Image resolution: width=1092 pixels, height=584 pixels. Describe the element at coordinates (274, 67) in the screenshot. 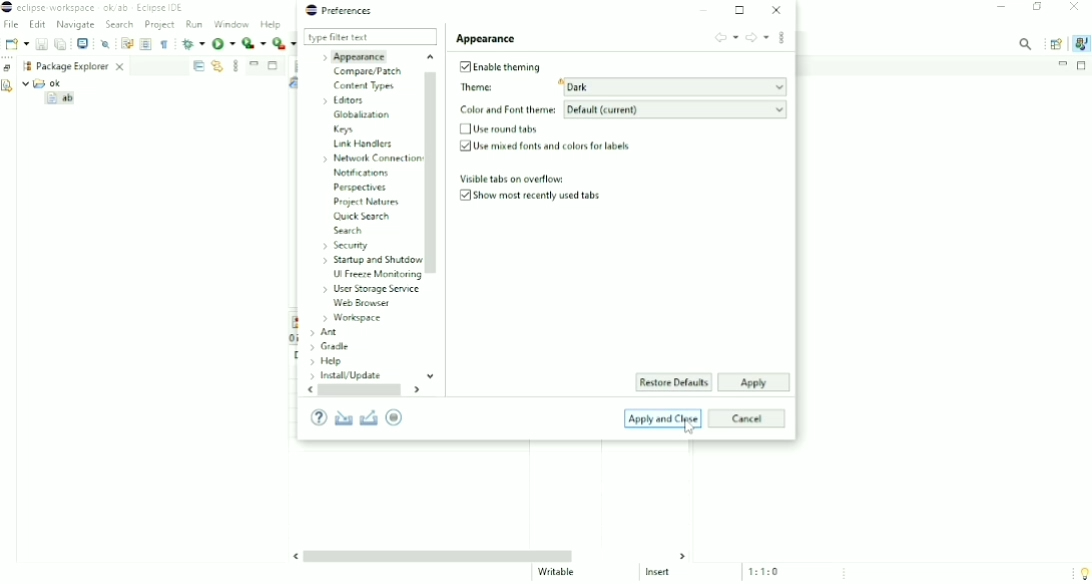

I see `Maximize` at that location.